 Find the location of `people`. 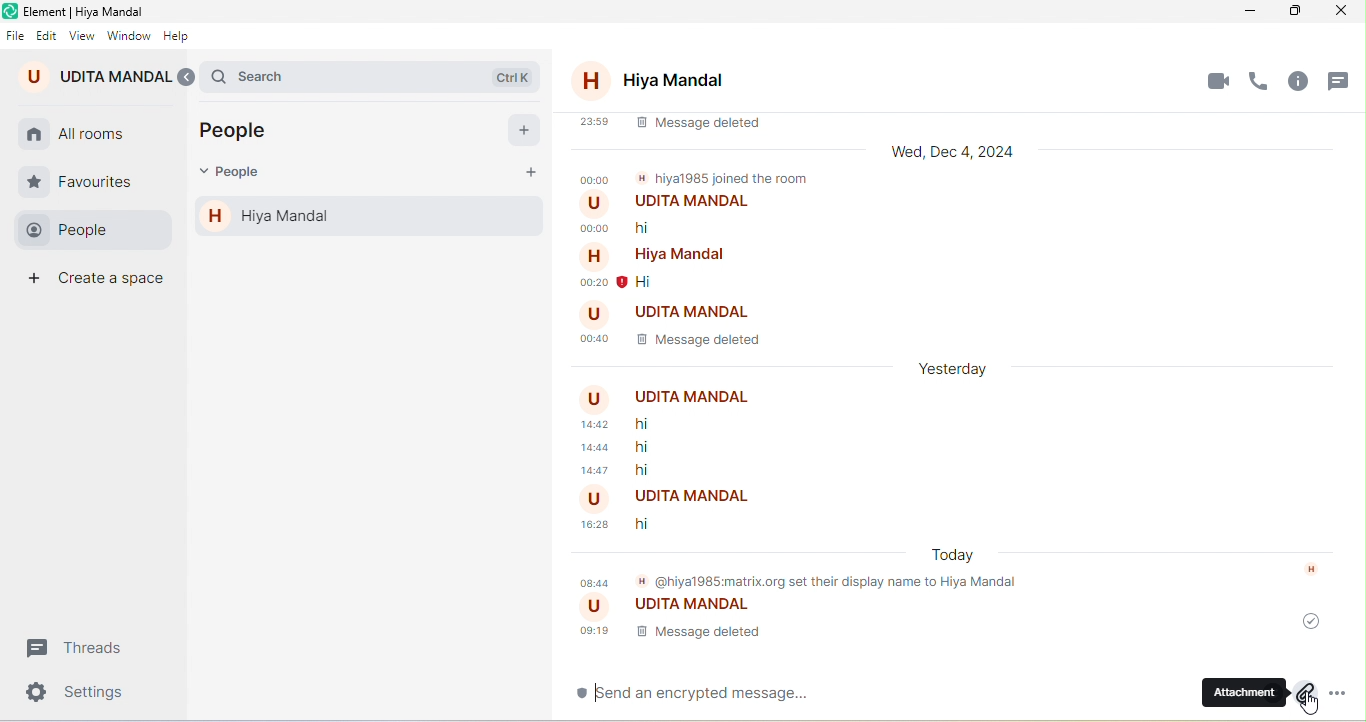

people is located at coordinates (88, 229).